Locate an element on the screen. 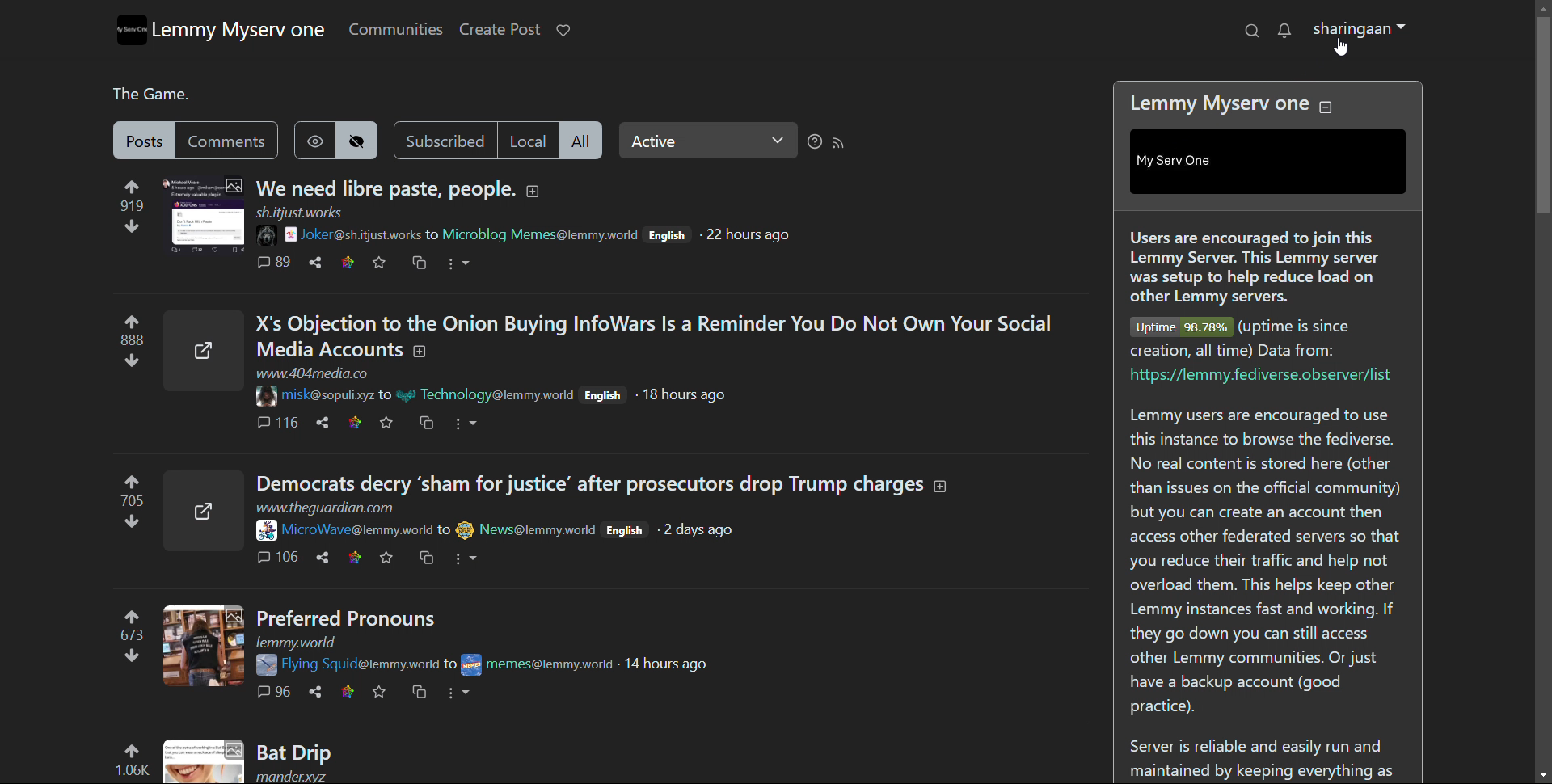 The height and width of the screenshot is (784, 1552). Bat Drip is located at coordinates (302, 750).